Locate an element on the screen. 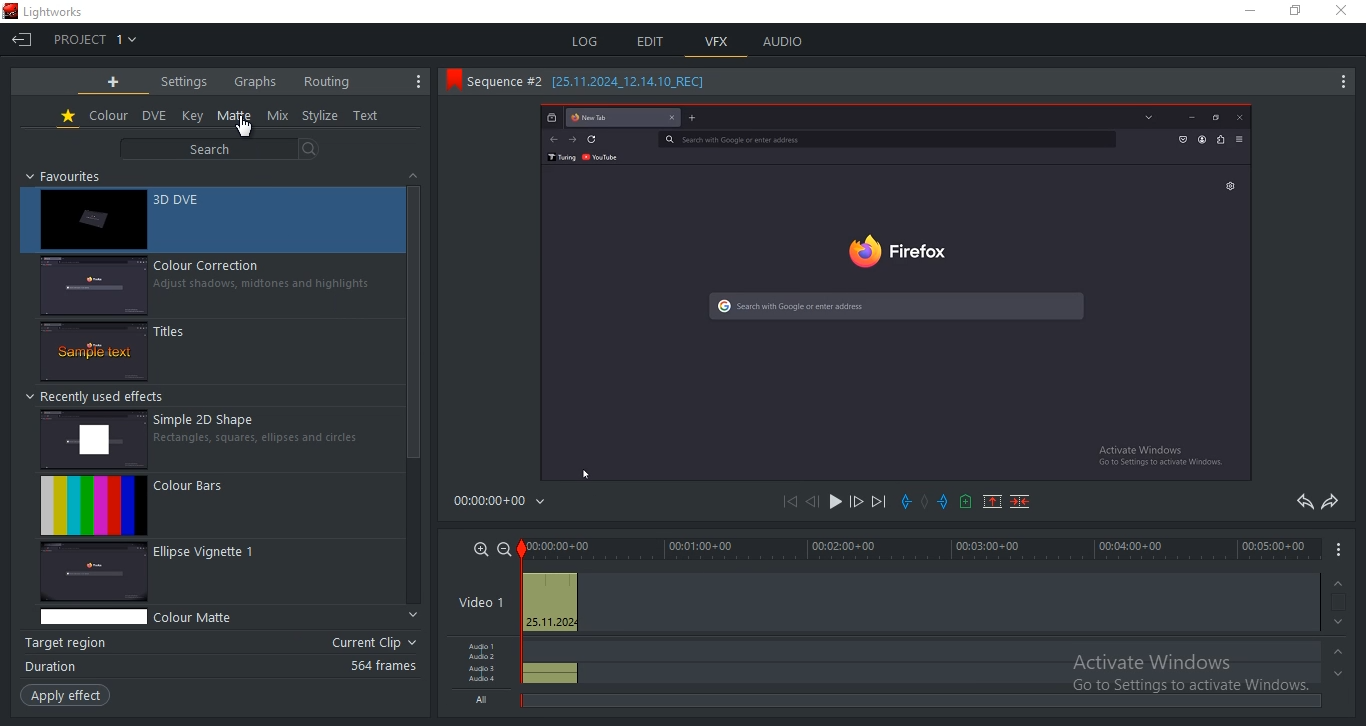 The image size is (1366, 726). settings is located at coordinates (184, 81).